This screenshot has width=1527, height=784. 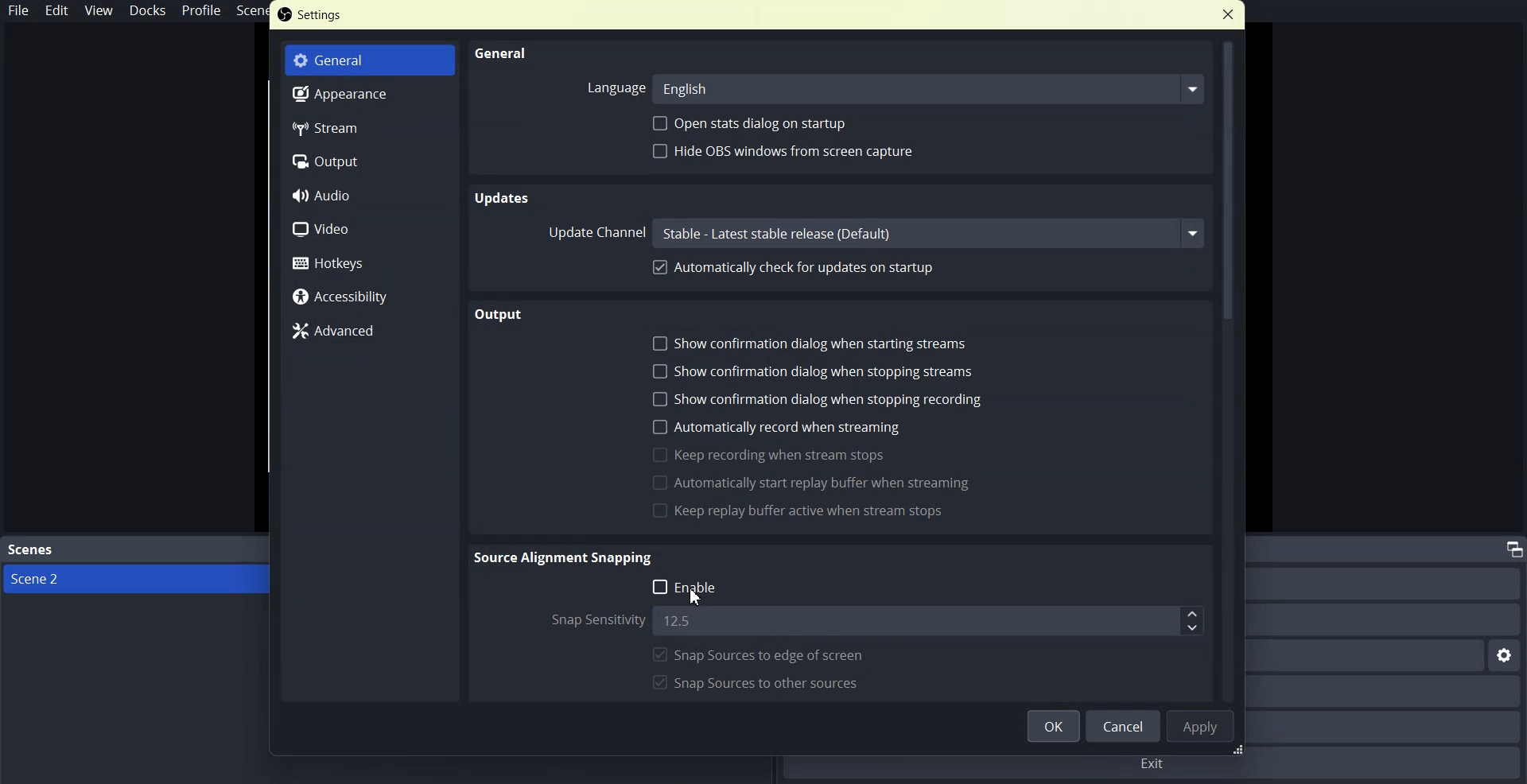 What do you see at coordinates (812, 371) in the screenshot?
I see `Show confirmation dialogue when stopping streams` at bounding box center [812, 371].